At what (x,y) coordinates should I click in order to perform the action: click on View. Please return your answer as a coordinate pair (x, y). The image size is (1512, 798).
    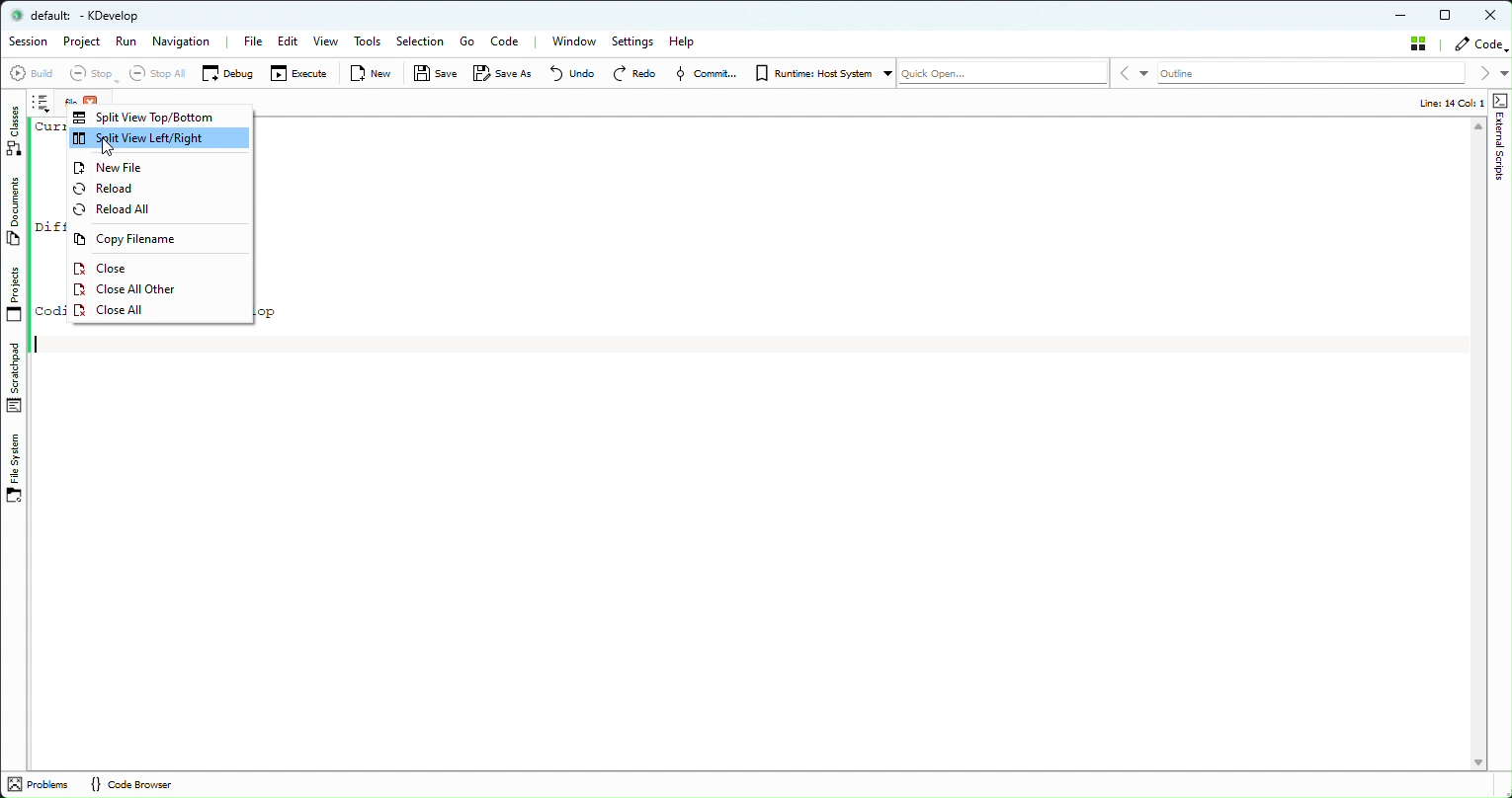
    Looking at the image, I should click on (322, 44).